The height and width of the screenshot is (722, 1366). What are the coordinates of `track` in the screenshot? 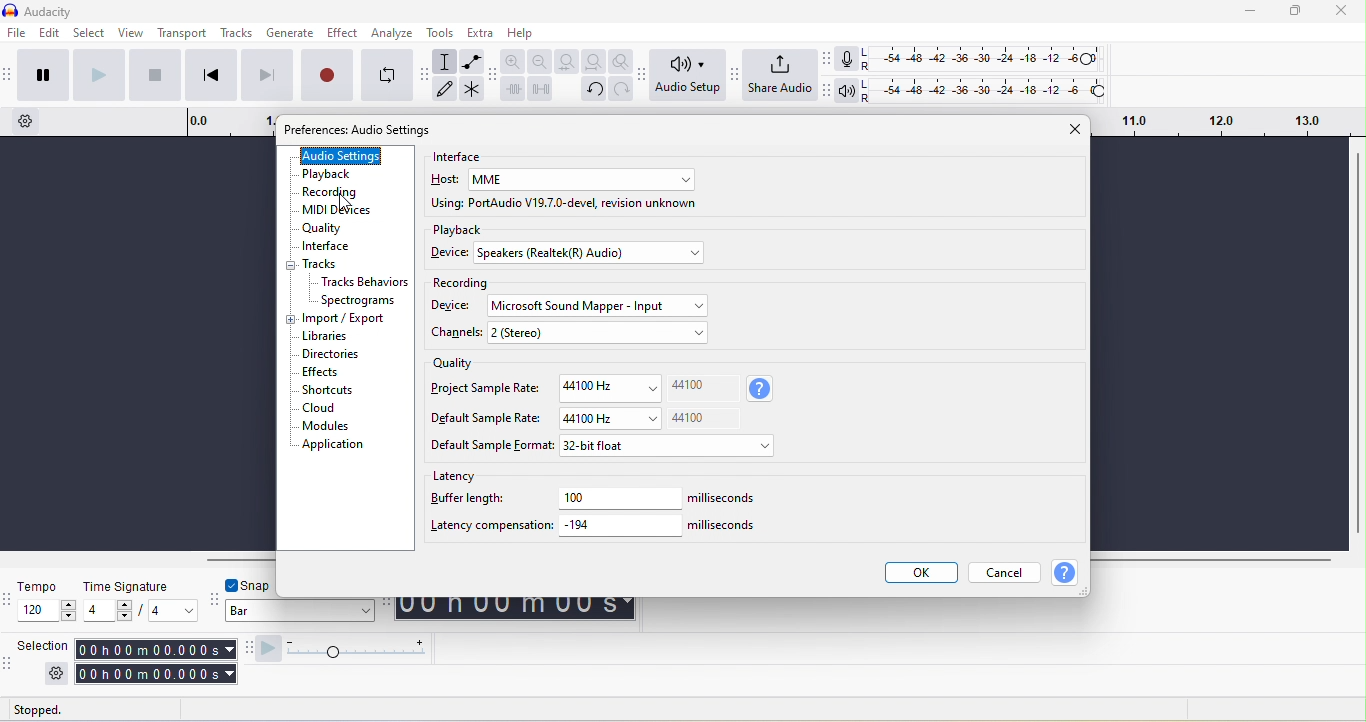 It's located at (320, 265).